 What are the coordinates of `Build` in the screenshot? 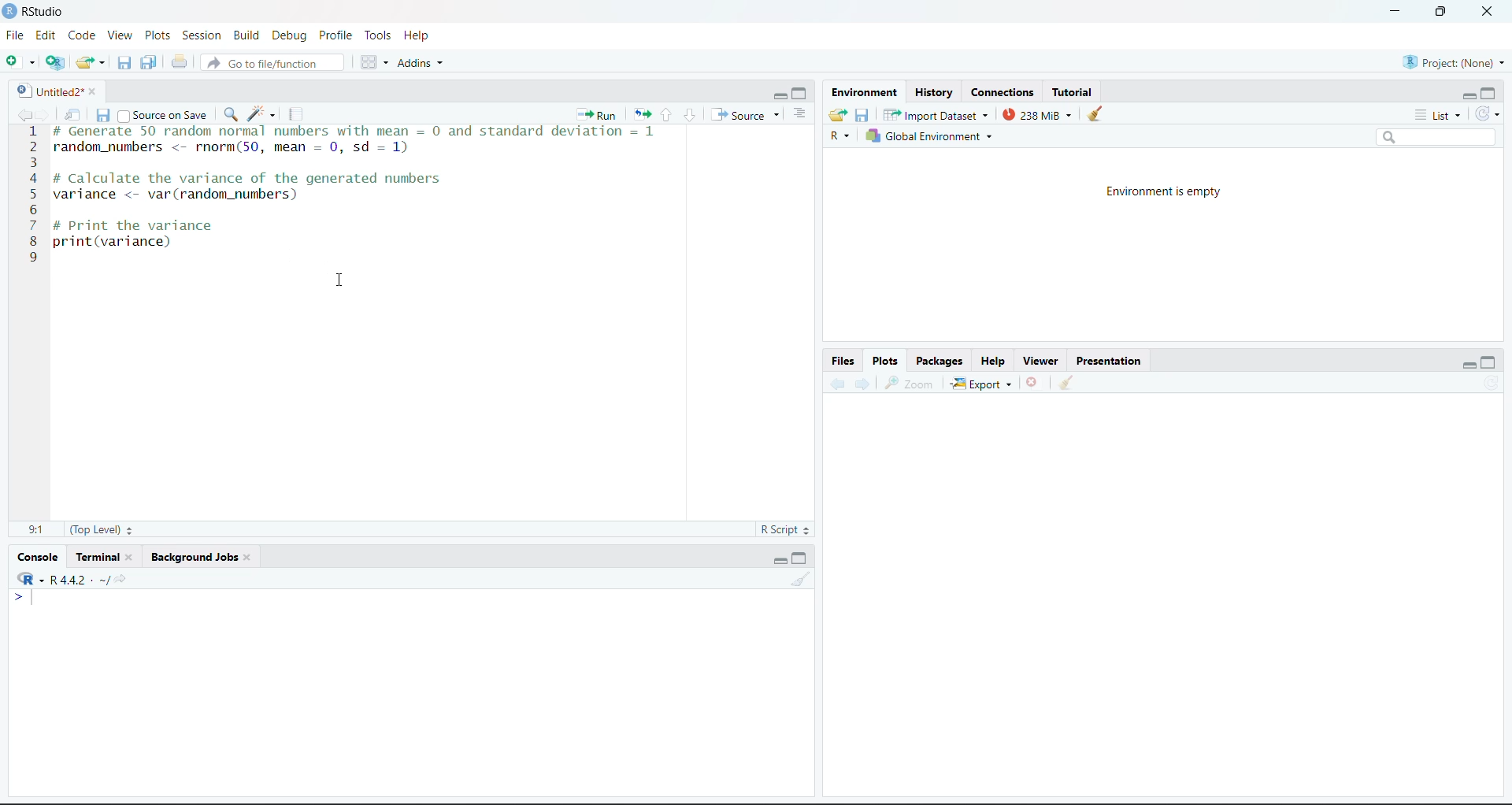 It's located at (246, 35).